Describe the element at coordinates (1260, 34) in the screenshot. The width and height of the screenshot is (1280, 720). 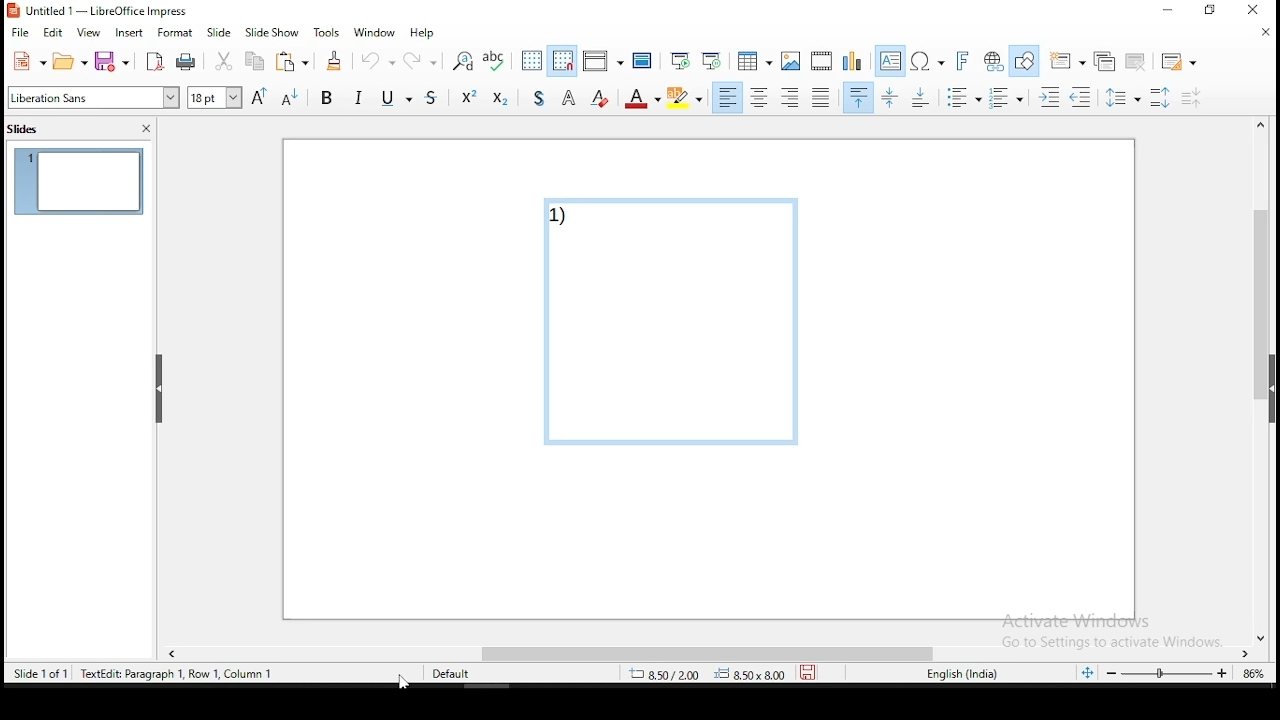
I see `close` at that location.